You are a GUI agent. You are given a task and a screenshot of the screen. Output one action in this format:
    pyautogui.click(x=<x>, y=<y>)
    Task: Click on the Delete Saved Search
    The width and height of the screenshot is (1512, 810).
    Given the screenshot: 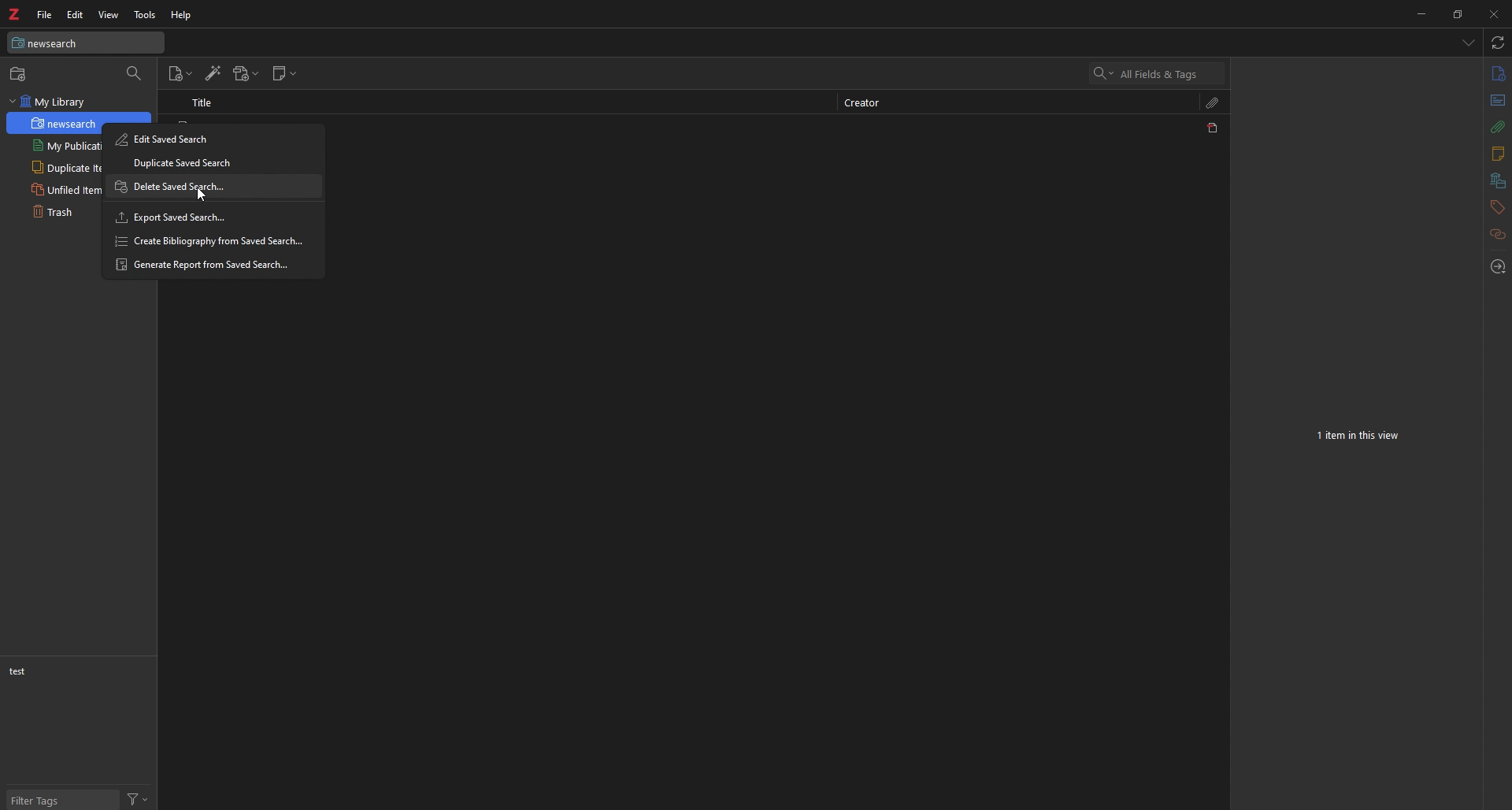 What is the action you would take?
    pyautogui.click(x=172, y=188)
    